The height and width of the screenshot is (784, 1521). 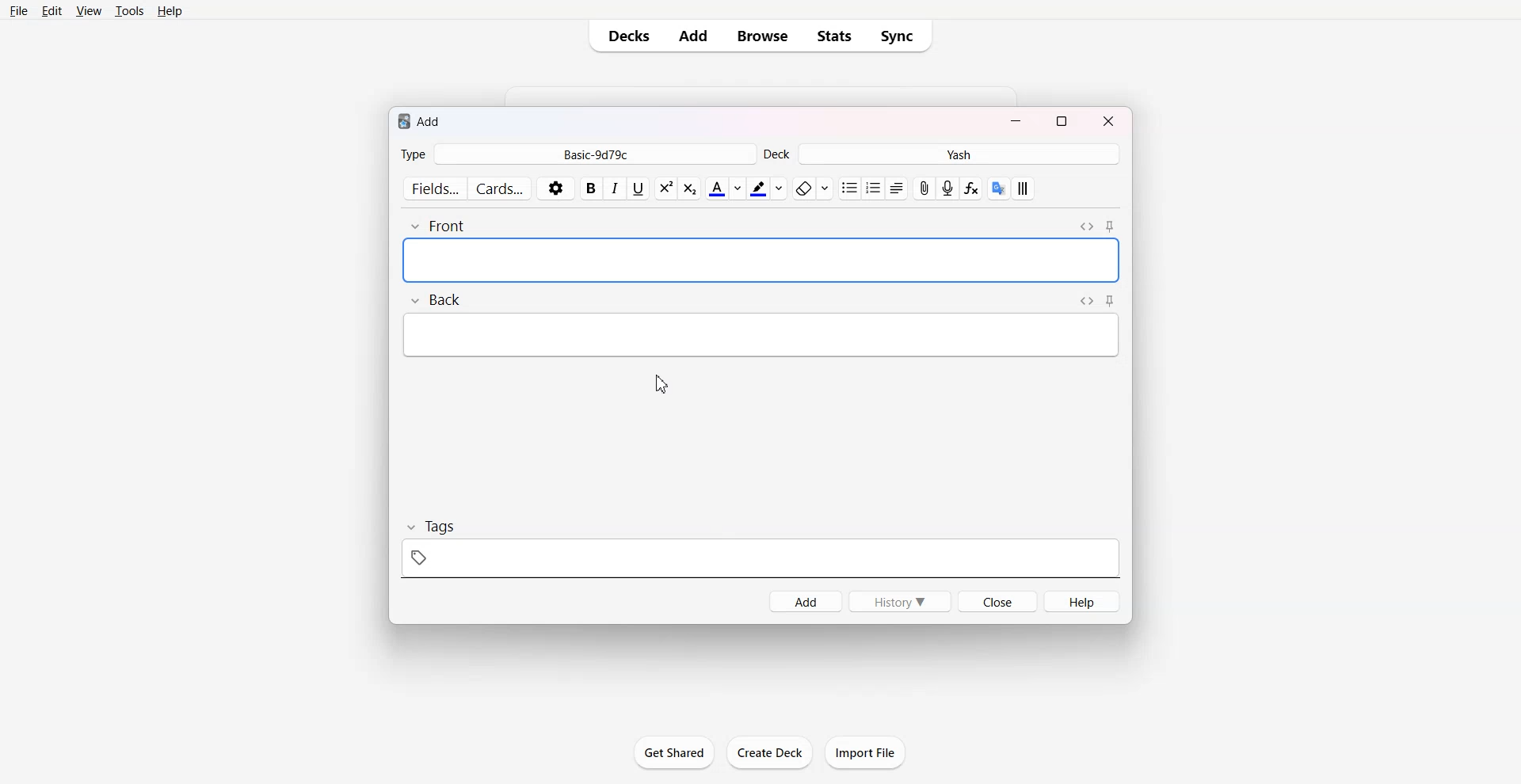 I want to click on Text Color, so click(x=724, y=188).